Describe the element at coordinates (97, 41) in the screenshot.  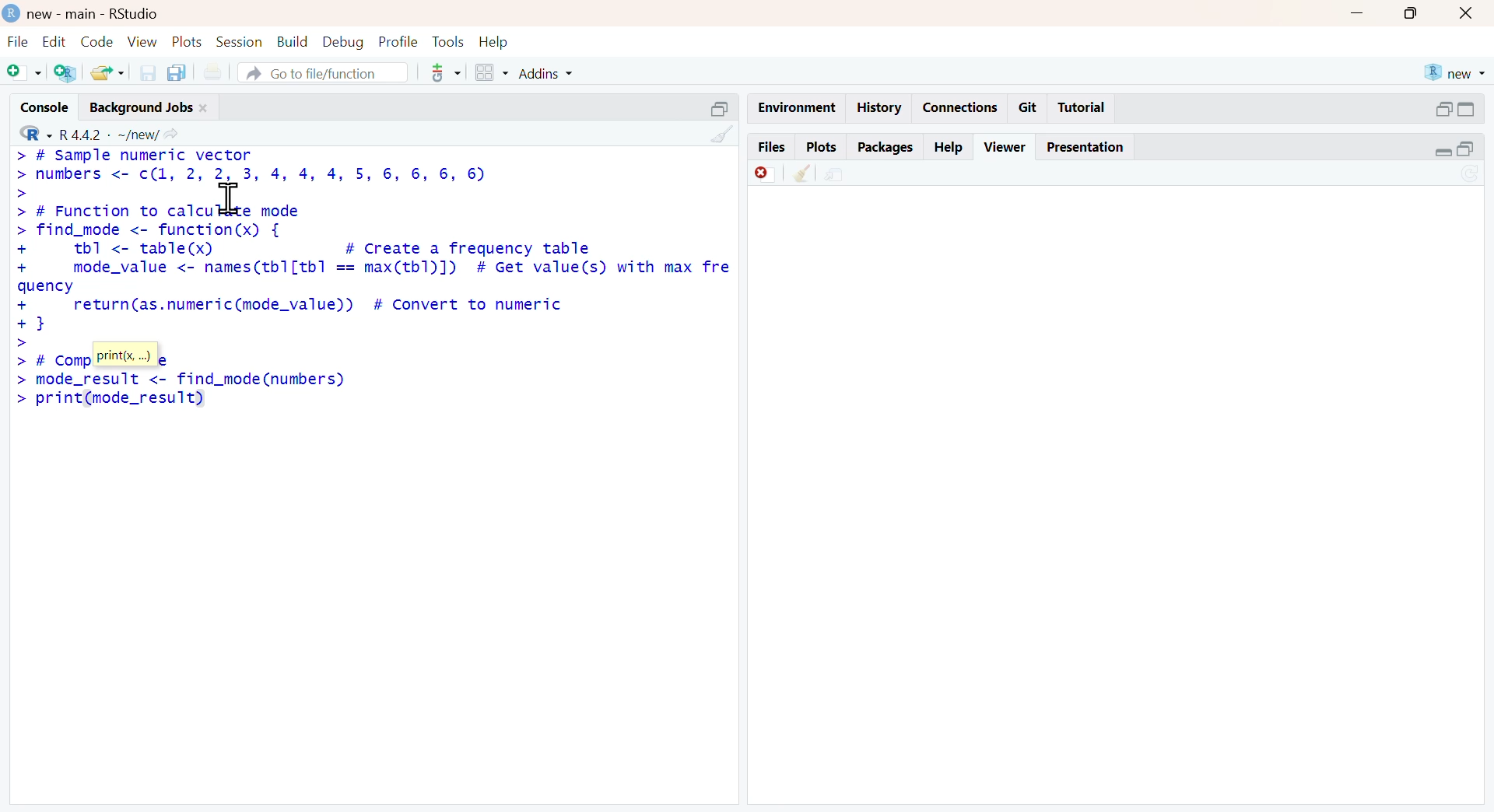
I see `code` at that location.